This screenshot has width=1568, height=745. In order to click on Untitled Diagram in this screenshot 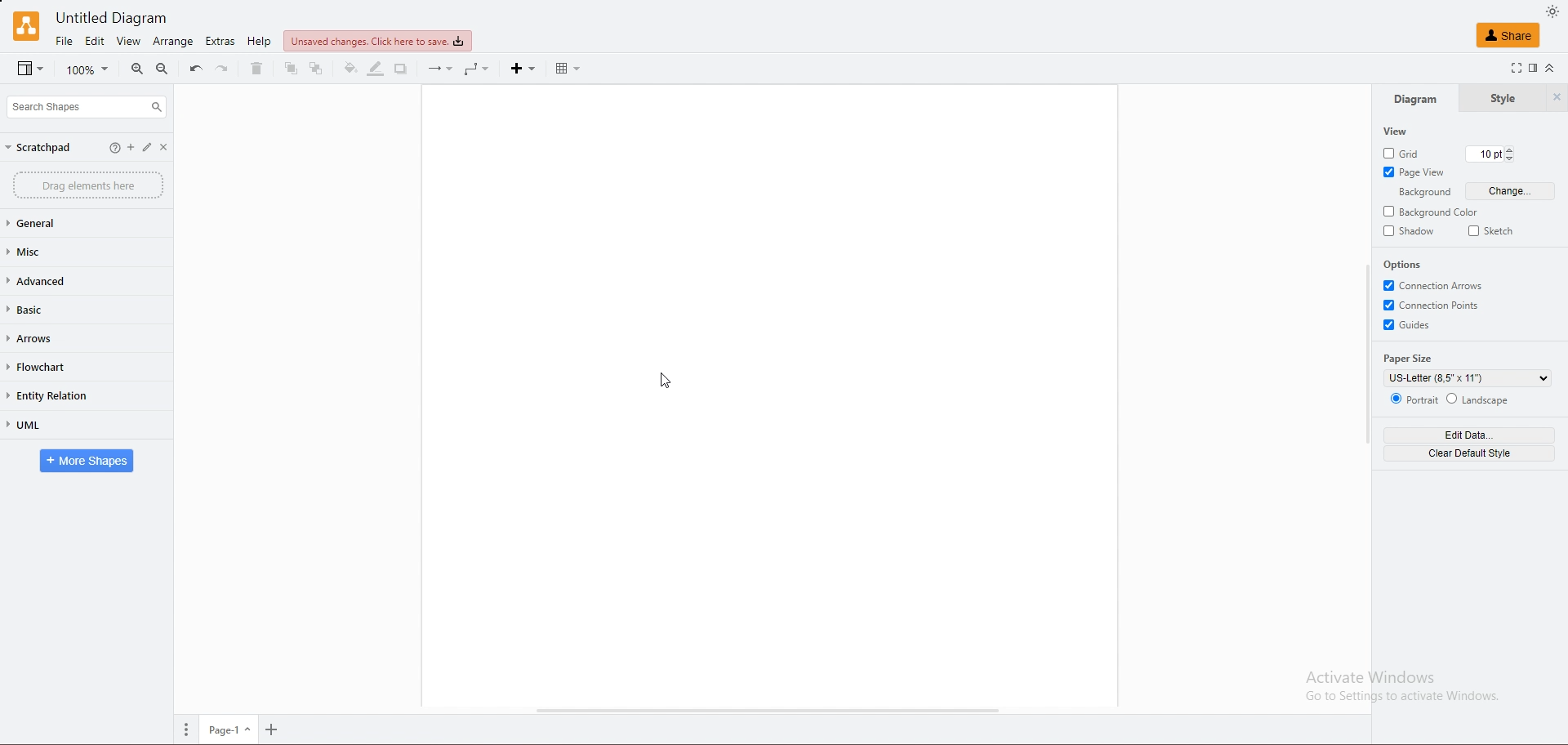, I will do `click(113, 17)`.